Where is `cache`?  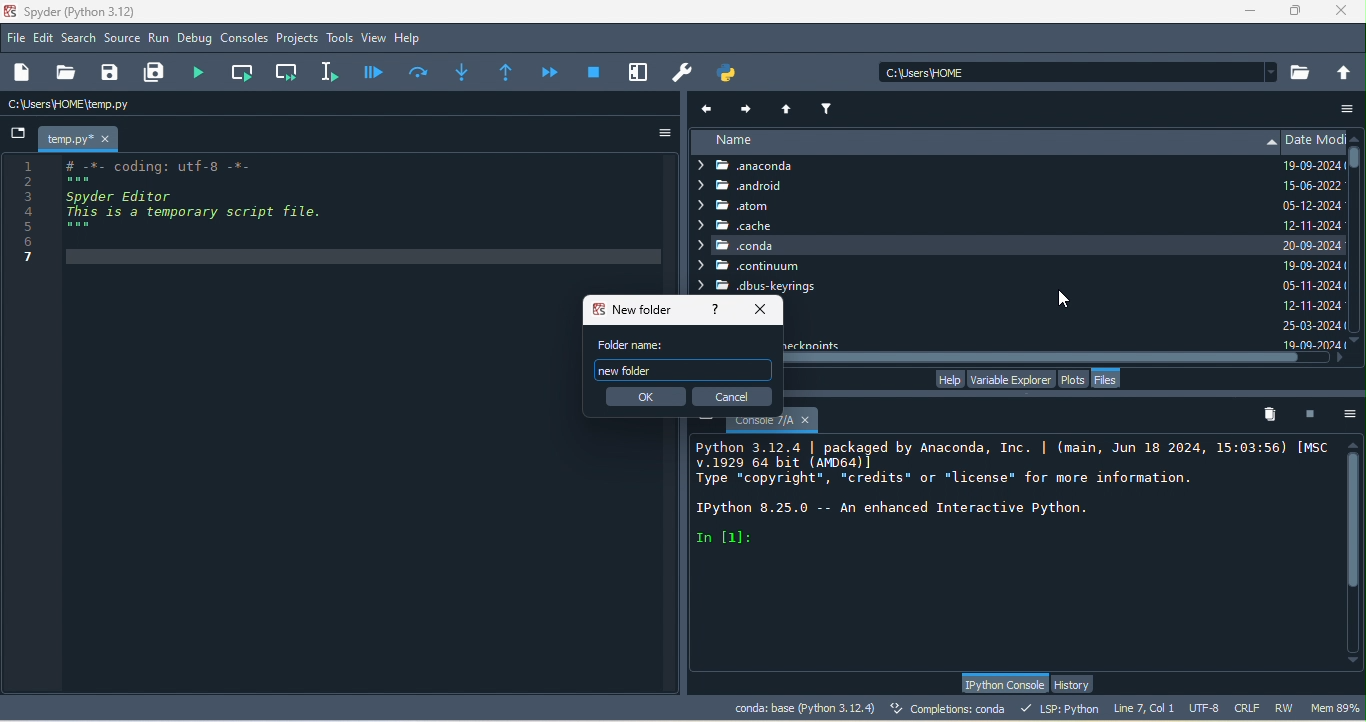
cache is located at coordinates (736, 225).